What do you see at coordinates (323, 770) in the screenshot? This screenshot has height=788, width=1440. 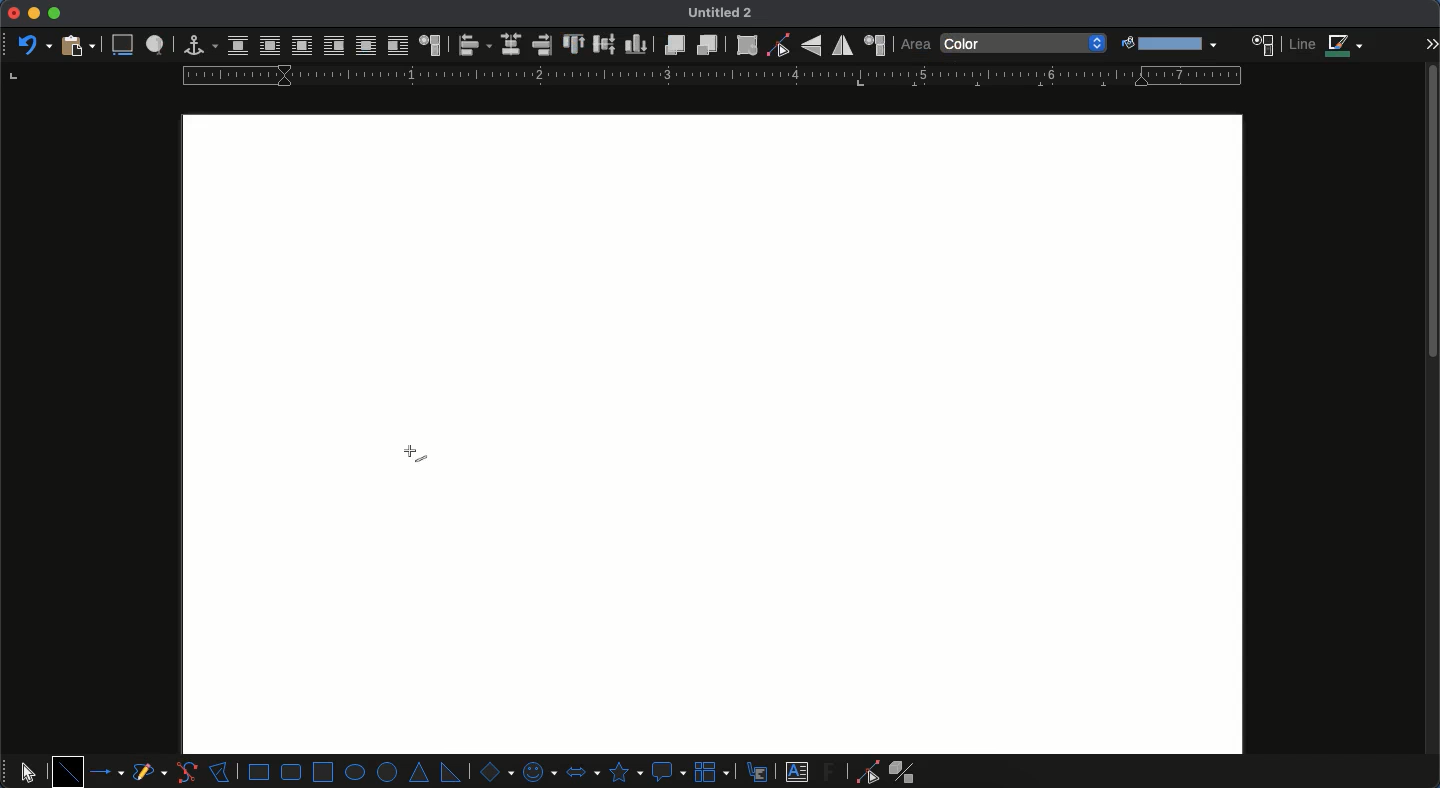 I see `square` at bounding box center [323, 770].